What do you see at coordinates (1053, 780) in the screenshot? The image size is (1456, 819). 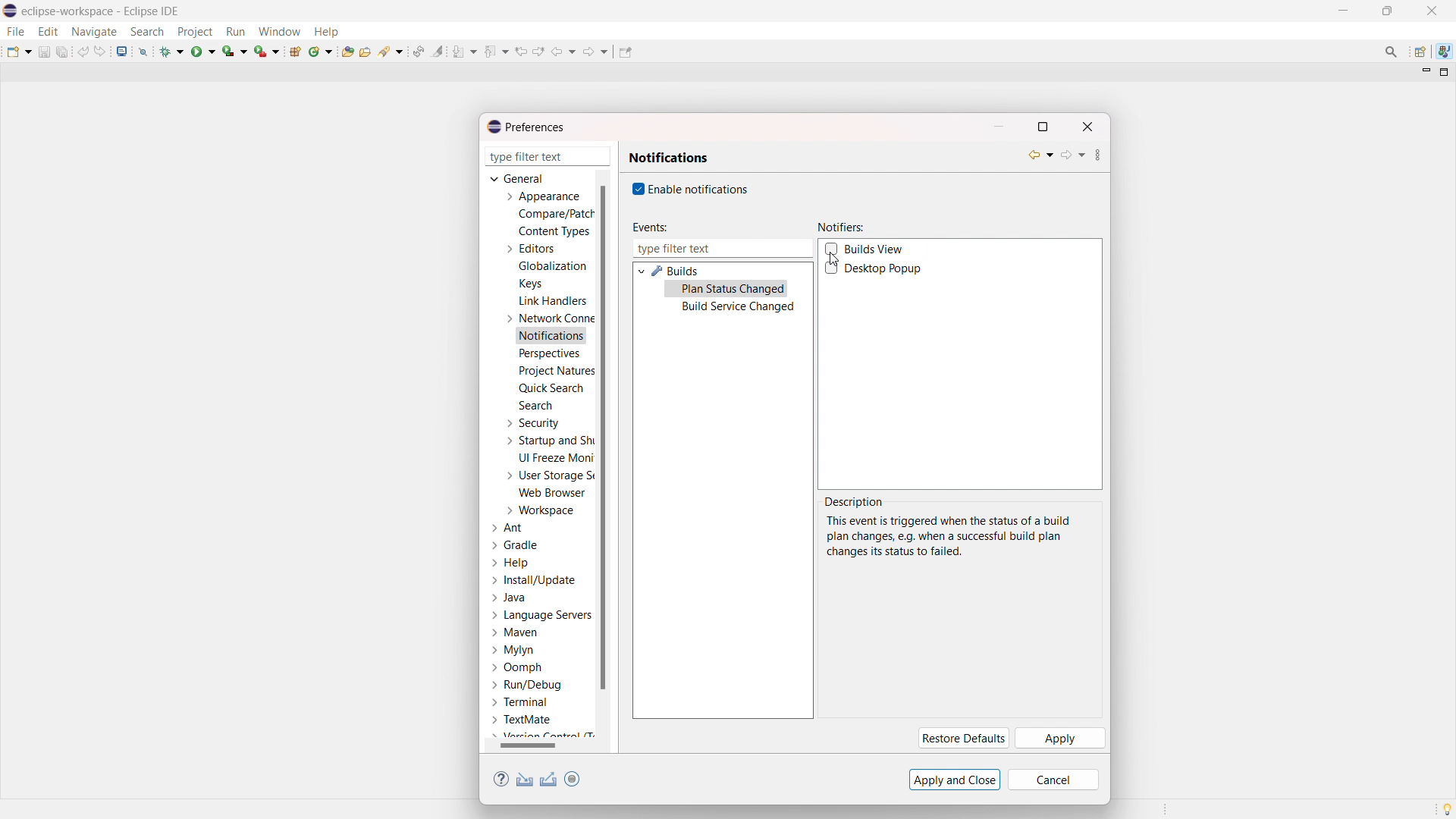 I see `cancel` at bounding box center [1053, 780].